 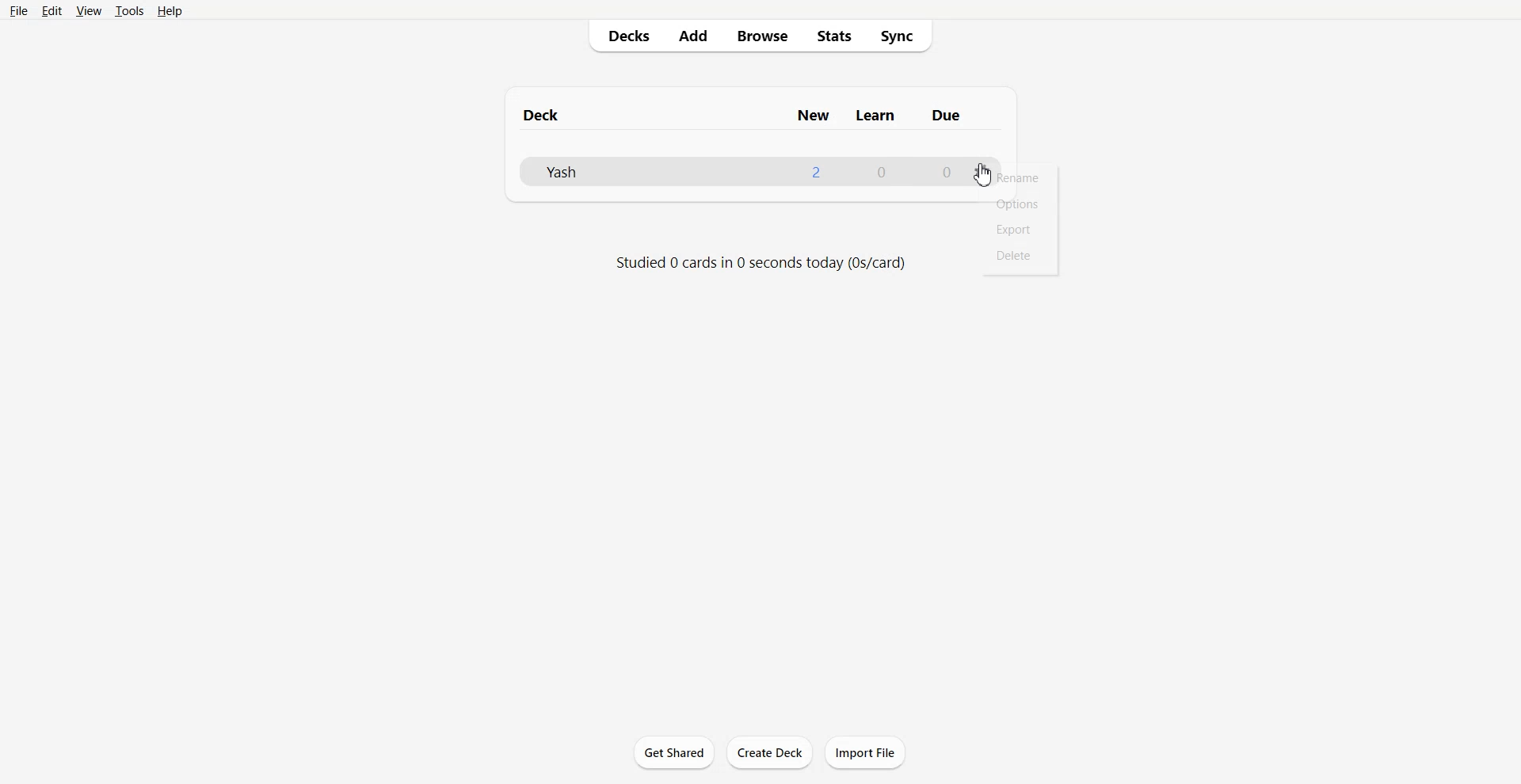 I want to click on Text 2, so click(x=760, y=264).